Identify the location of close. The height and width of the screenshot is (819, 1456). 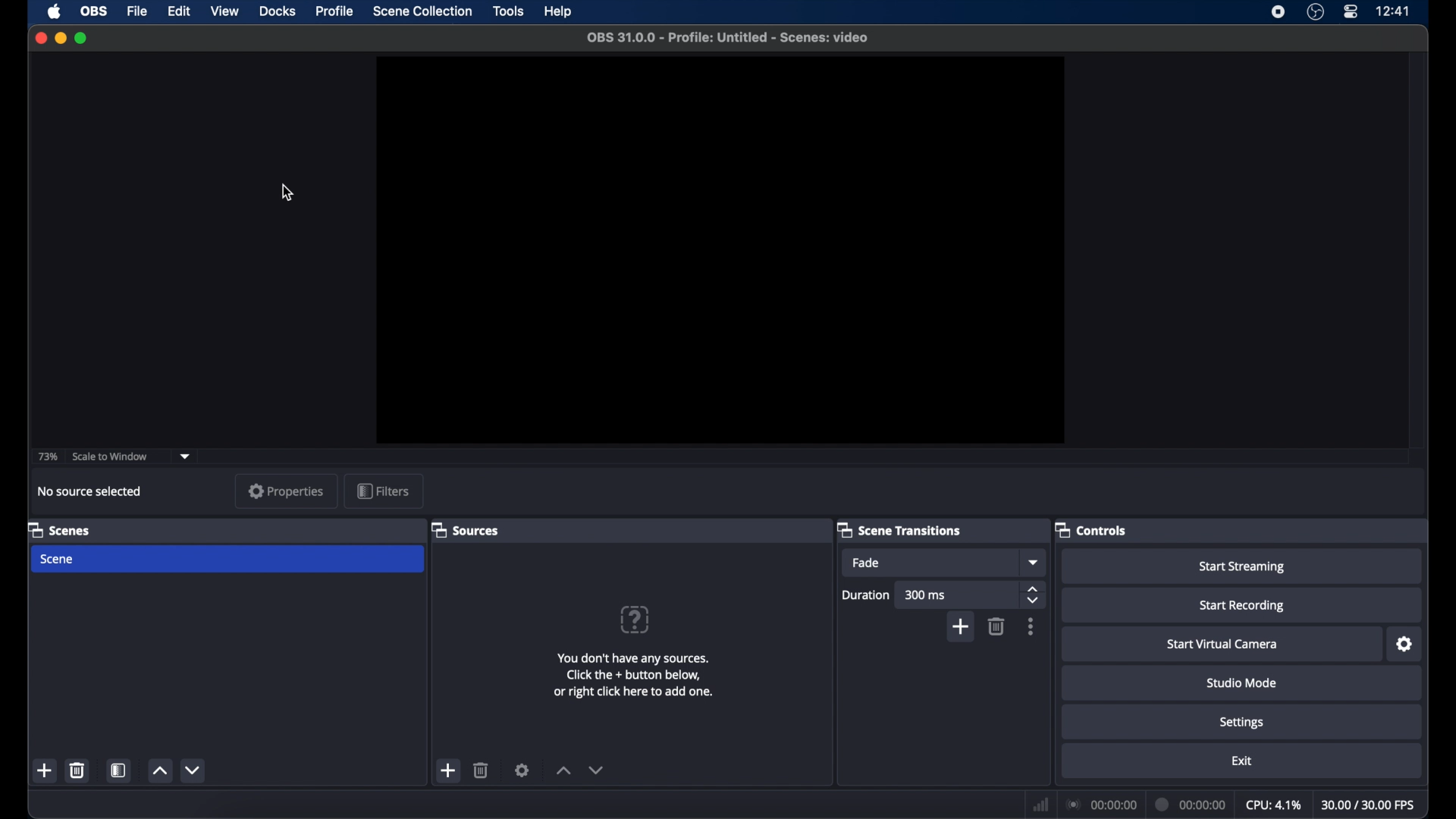
(40, 38).